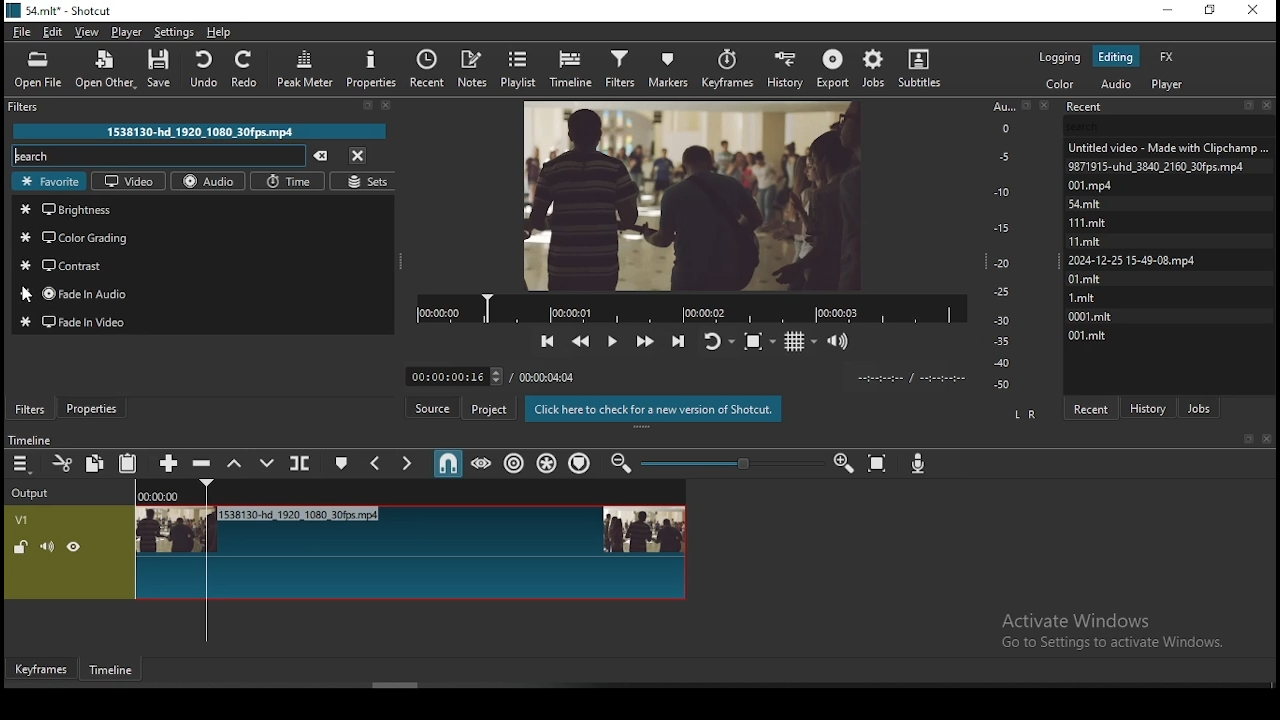 The width and height of the screenshot is (1280, 720). I want to click on play/pause, so click(614, 335).